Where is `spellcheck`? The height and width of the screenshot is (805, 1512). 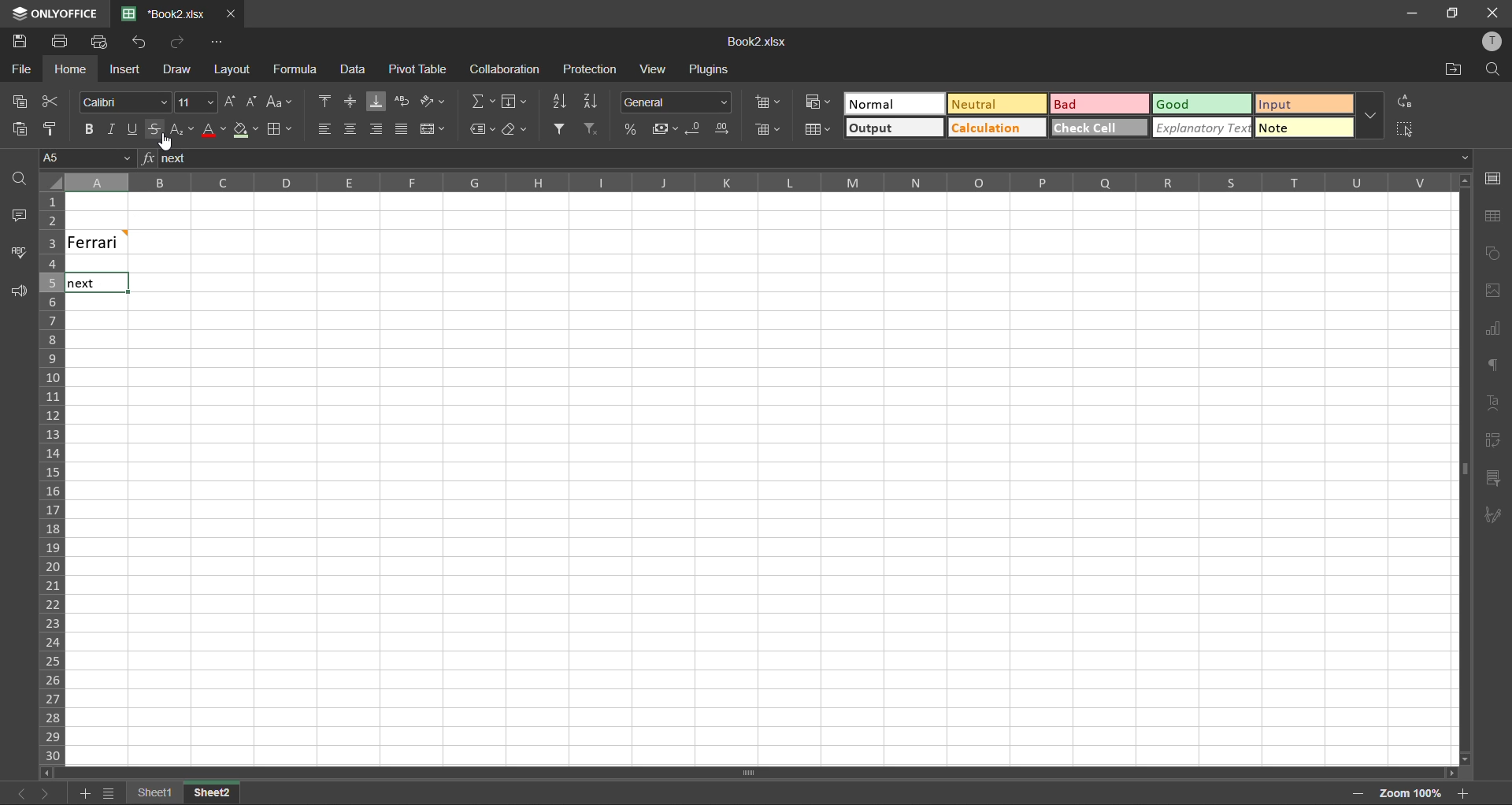 spellcheck is located at coordinates (20, 254).